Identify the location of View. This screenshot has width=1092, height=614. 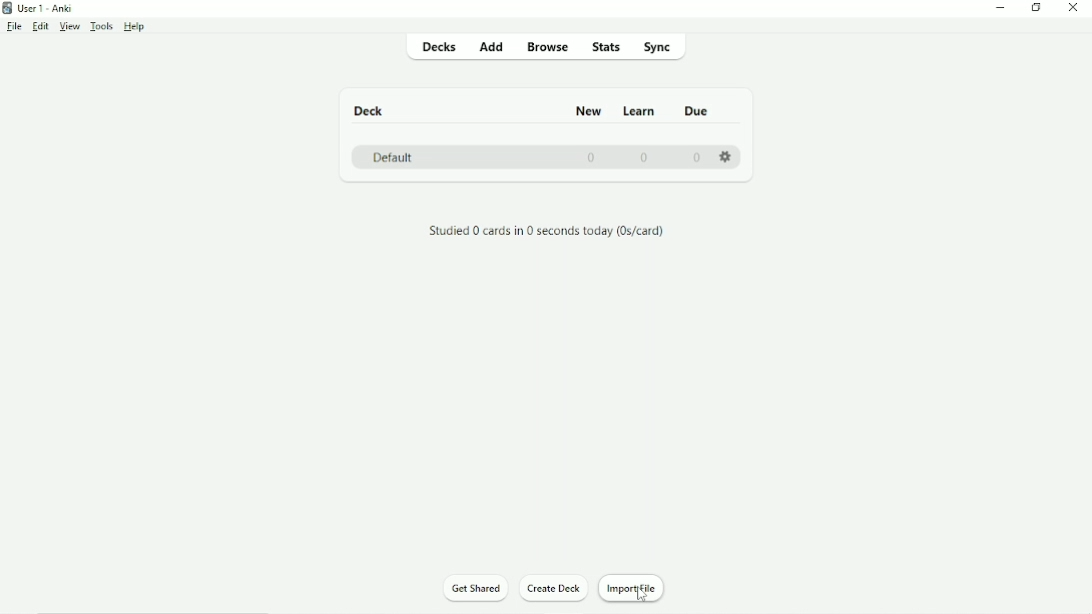
(70, 26).